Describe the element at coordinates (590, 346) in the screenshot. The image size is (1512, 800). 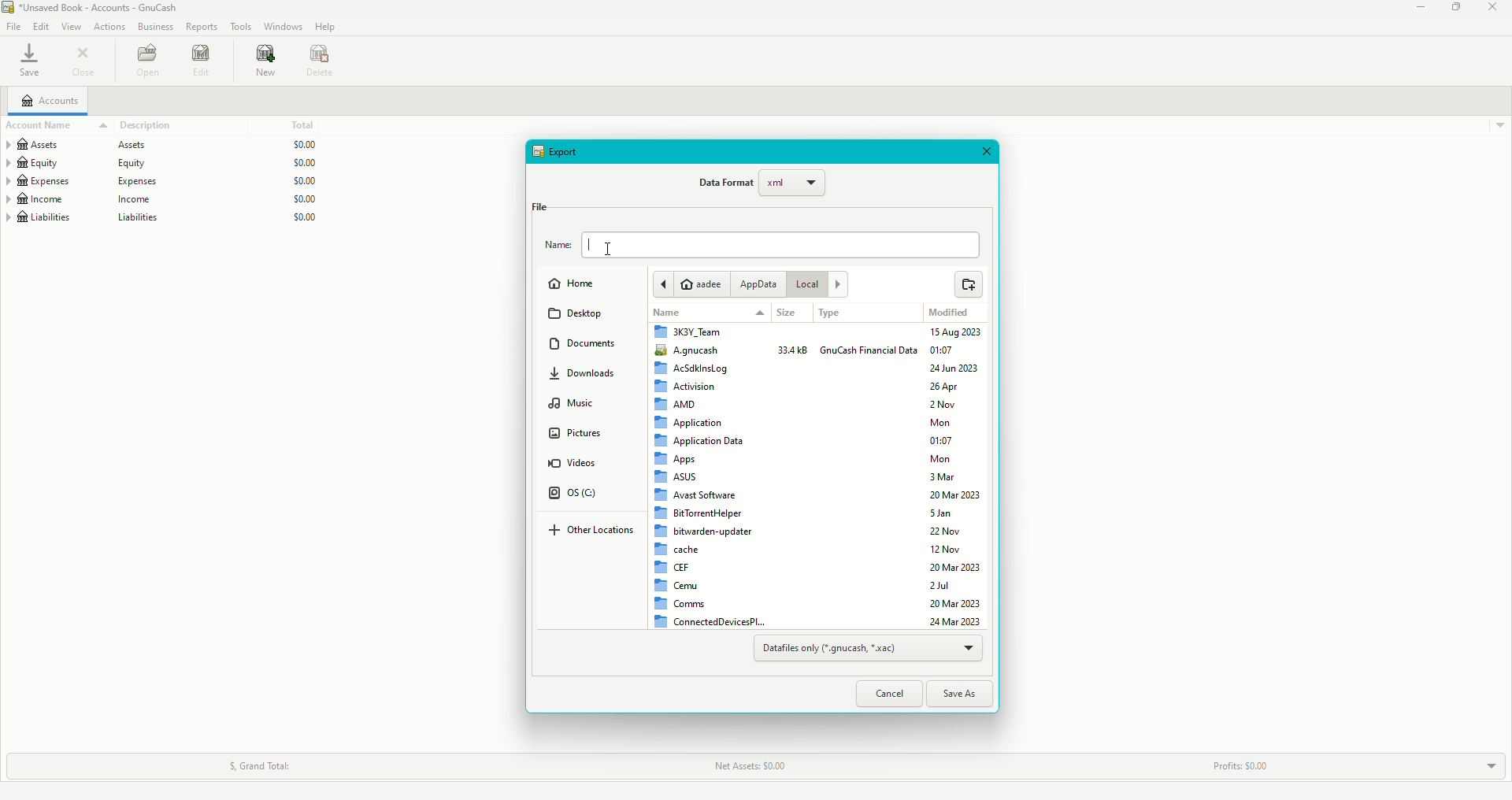
I see `Documents` at that location.